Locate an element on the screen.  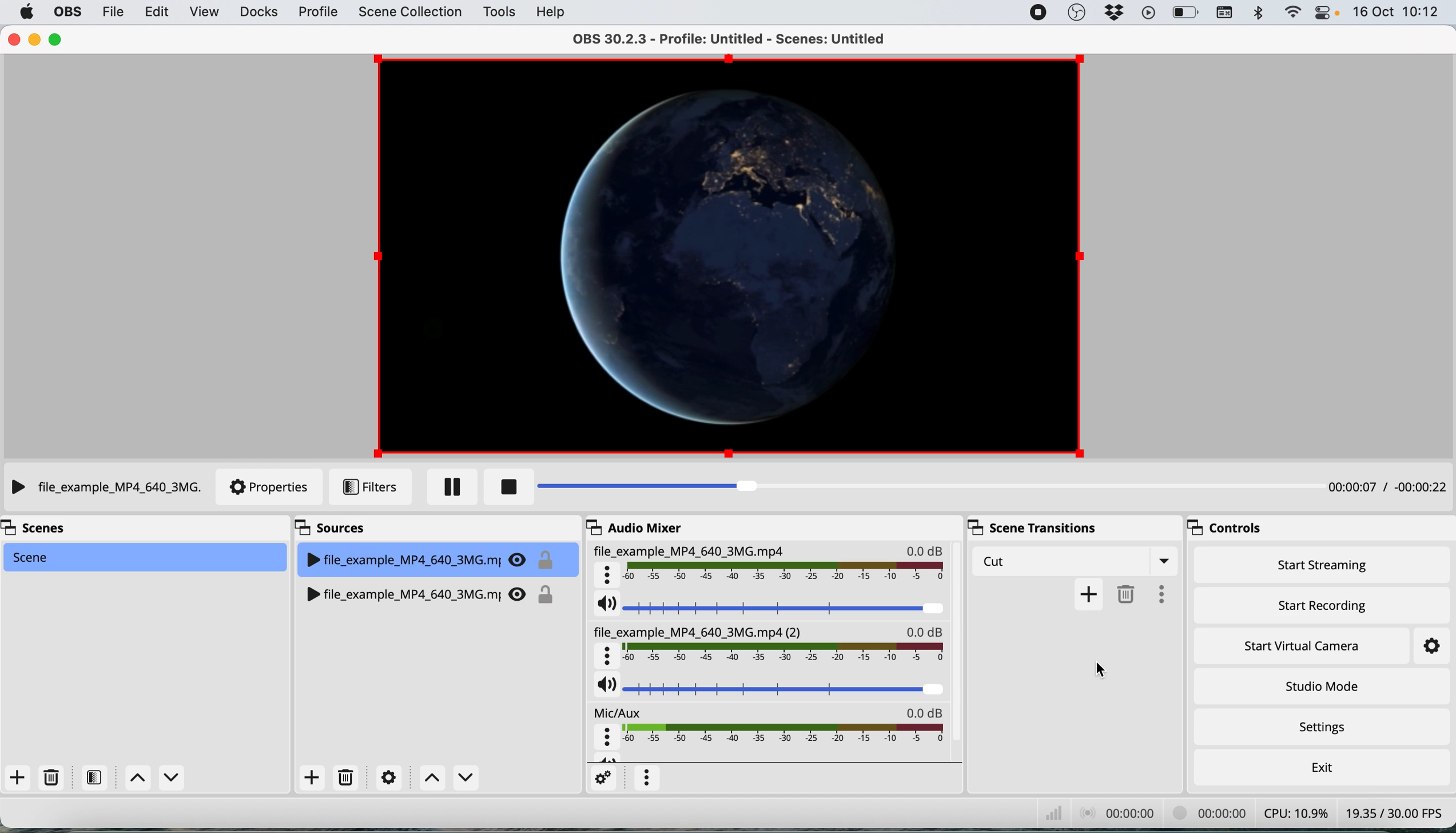
controls is located at coordinates (1227, 527).